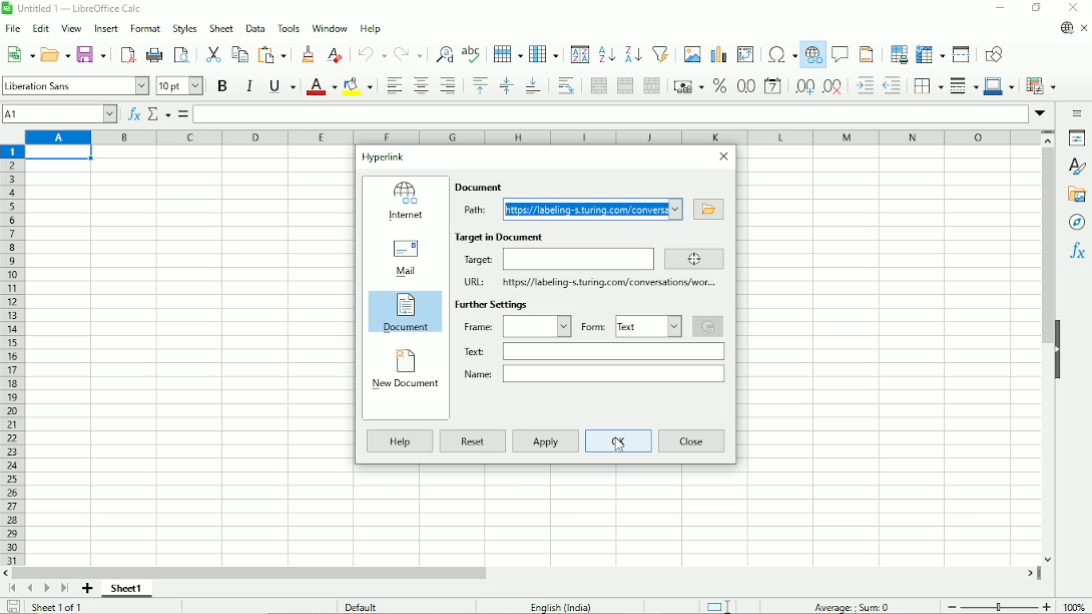  I want to click on Text, so click(649, 326).